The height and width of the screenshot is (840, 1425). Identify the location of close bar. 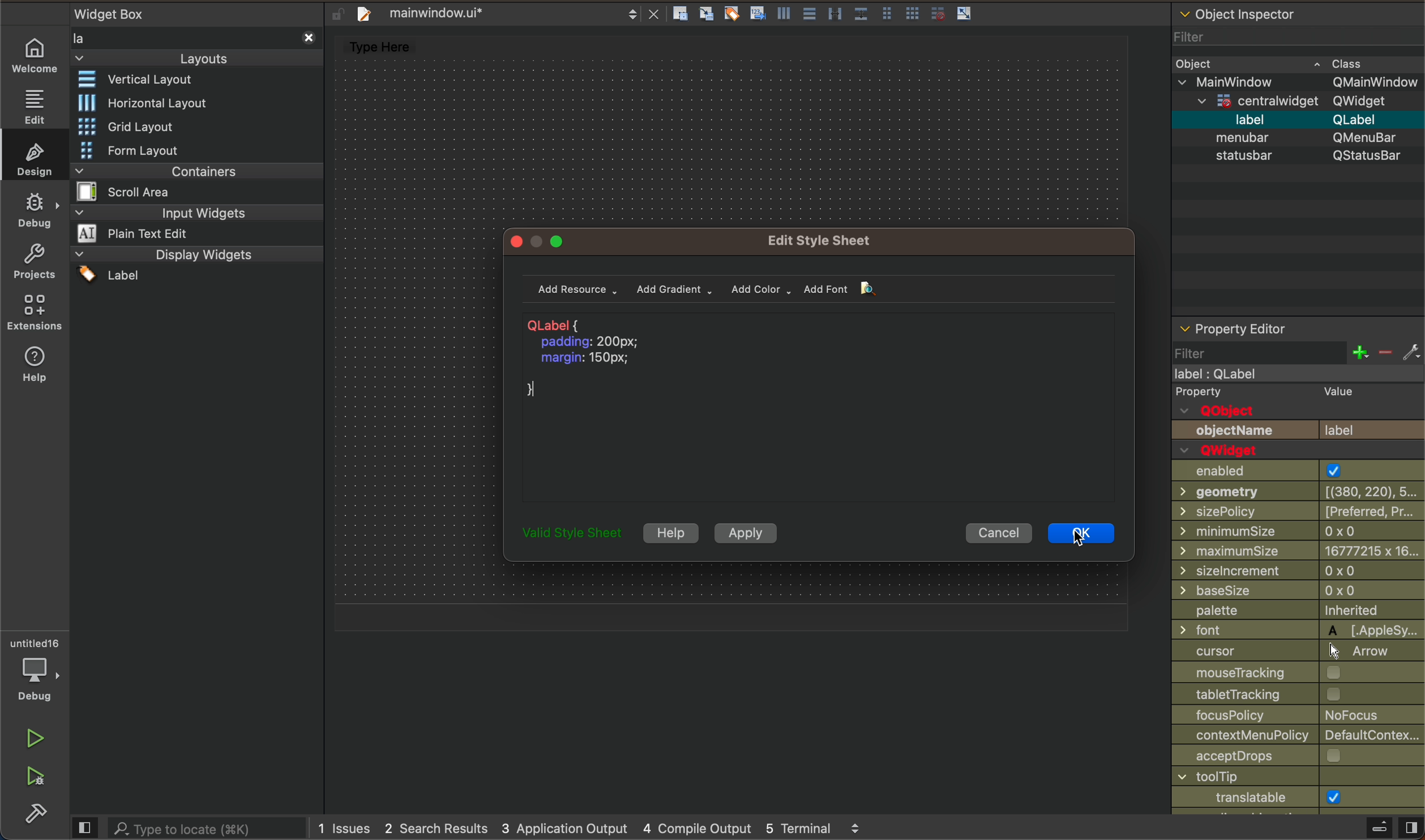
(1390, 824).